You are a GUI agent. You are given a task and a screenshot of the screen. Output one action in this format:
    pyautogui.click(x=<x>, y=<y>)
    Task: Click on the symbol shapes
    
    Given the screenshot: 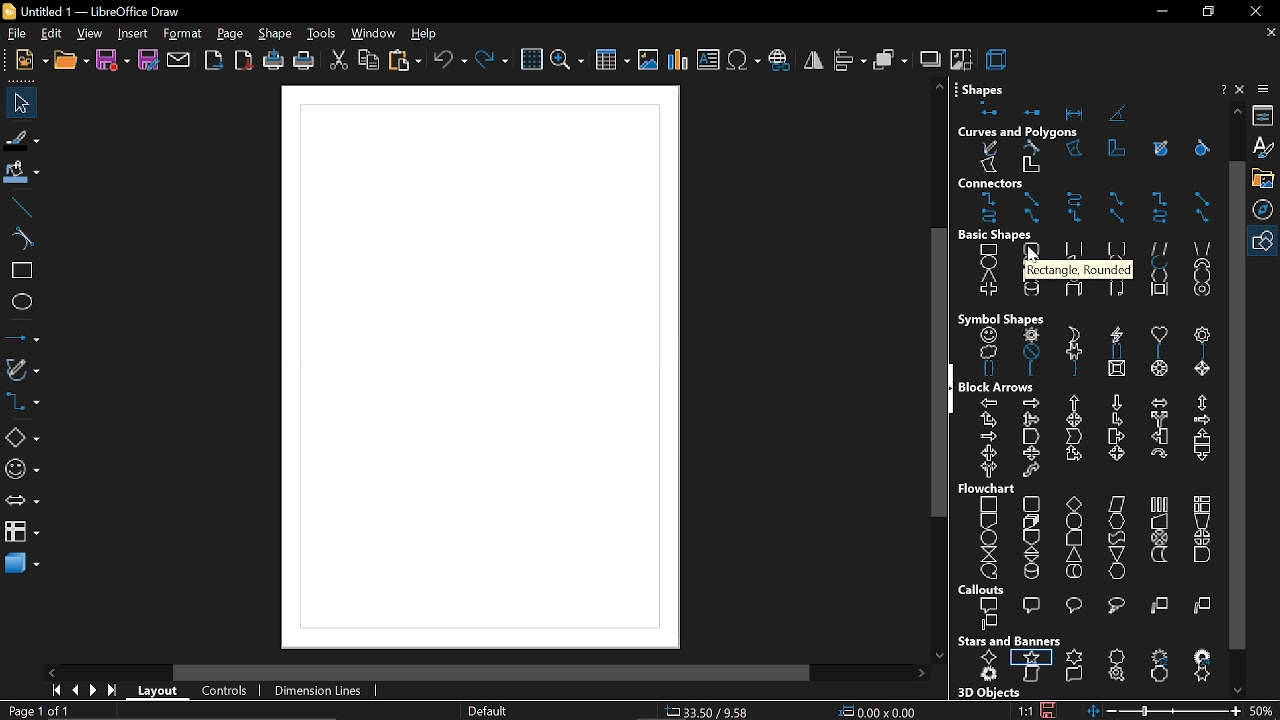 What is the action you would take?
    pyautogui.click(x=1093, y=353)
    